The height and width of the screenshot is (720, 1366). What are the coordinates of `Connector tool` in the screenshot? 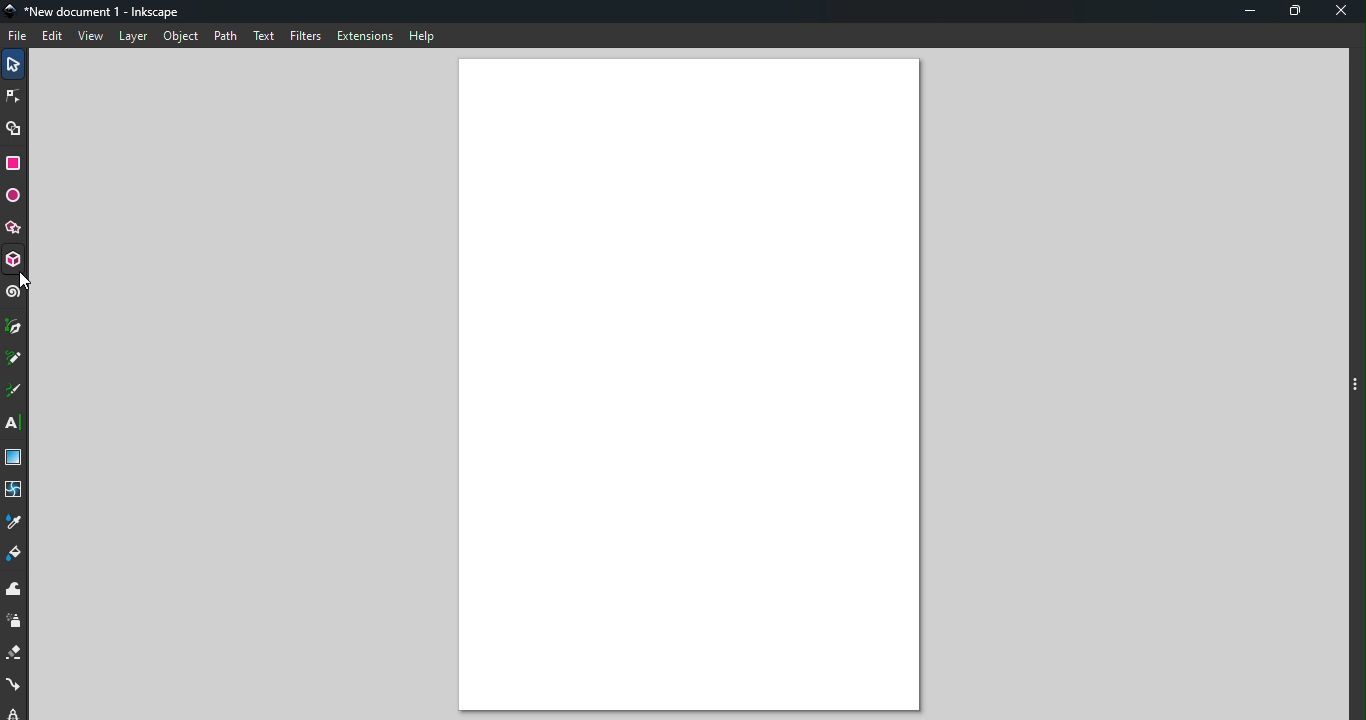 It's located at (15, 685).